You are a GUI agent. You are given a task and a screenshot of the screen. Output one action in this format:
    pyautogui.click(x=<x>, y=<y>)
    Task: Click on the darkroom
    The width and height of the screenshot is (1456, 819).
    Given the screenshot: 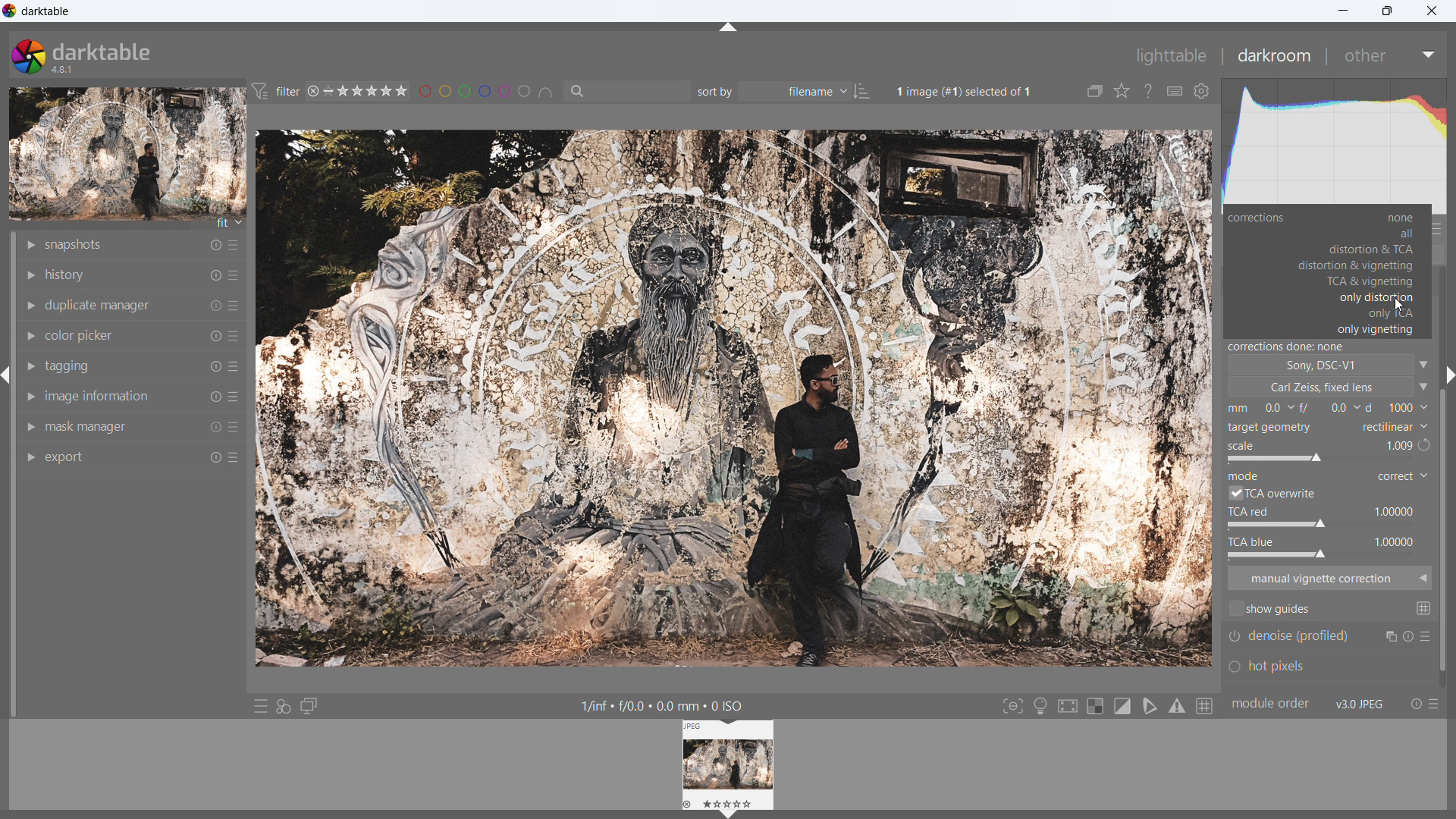 What is the action you would take?
    pyautogui.click(x=1274, y=55)
    